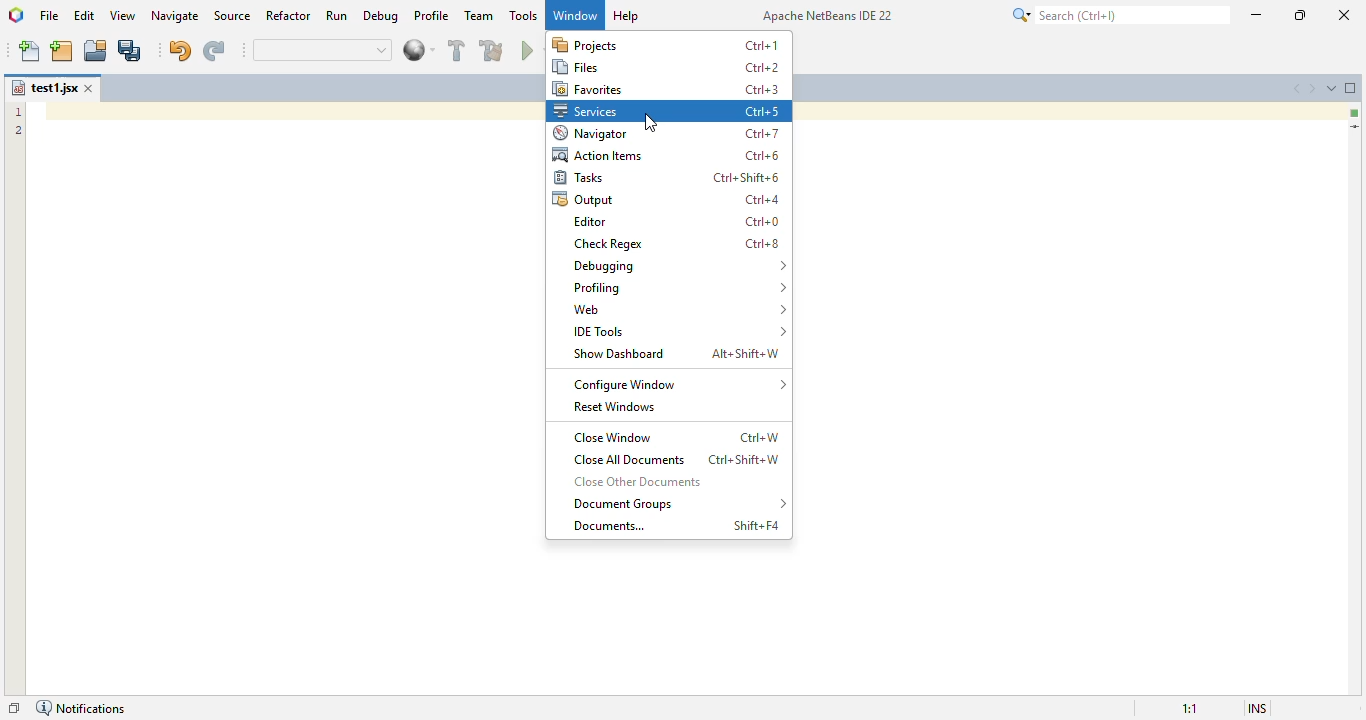  What do you see at coordinates (588, 89) in the screenshot?
I see `favorites` at bounding box center [588, 89].